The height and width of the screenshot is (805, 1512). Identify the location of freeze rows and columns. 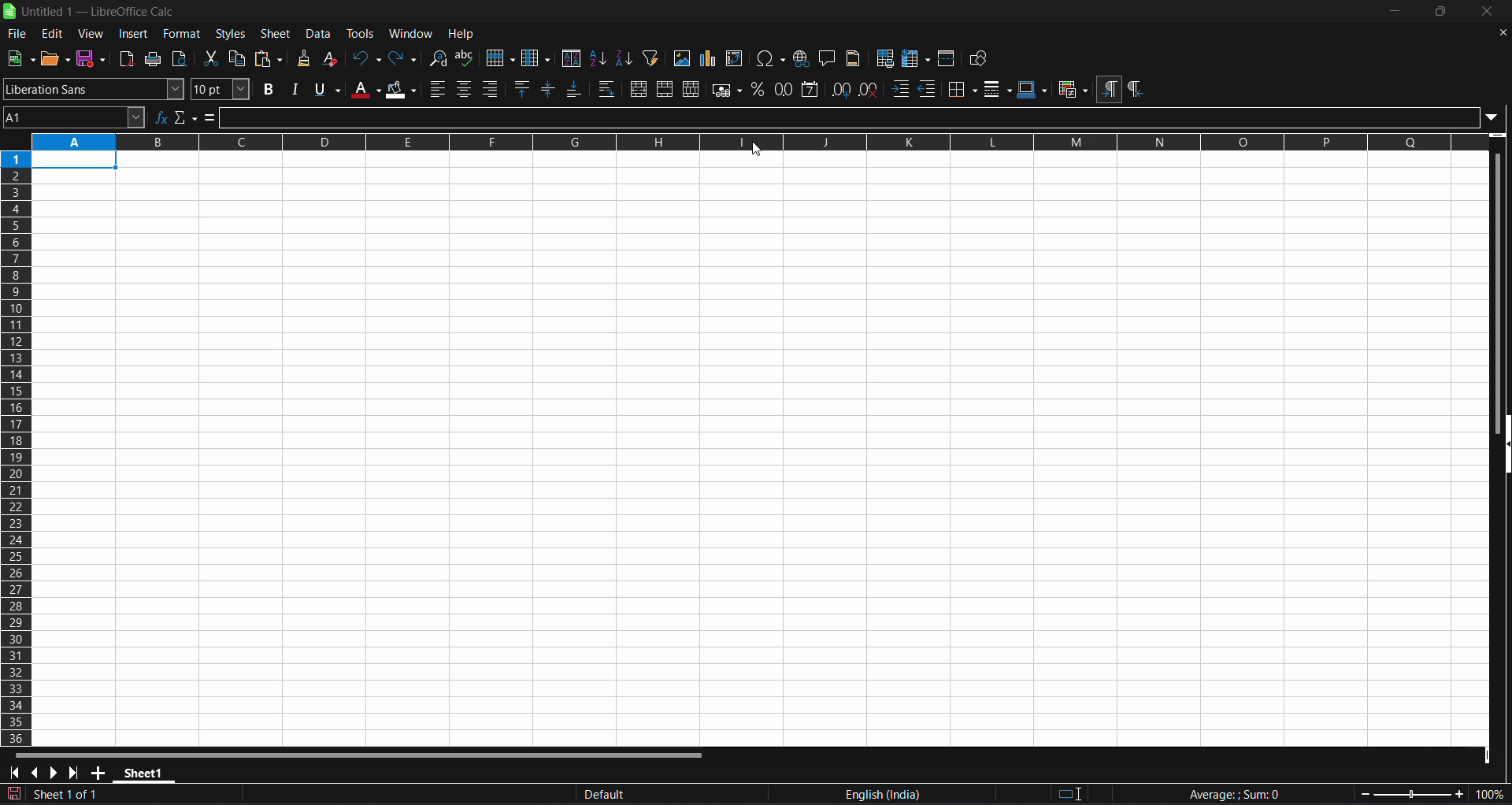
(917, 57).